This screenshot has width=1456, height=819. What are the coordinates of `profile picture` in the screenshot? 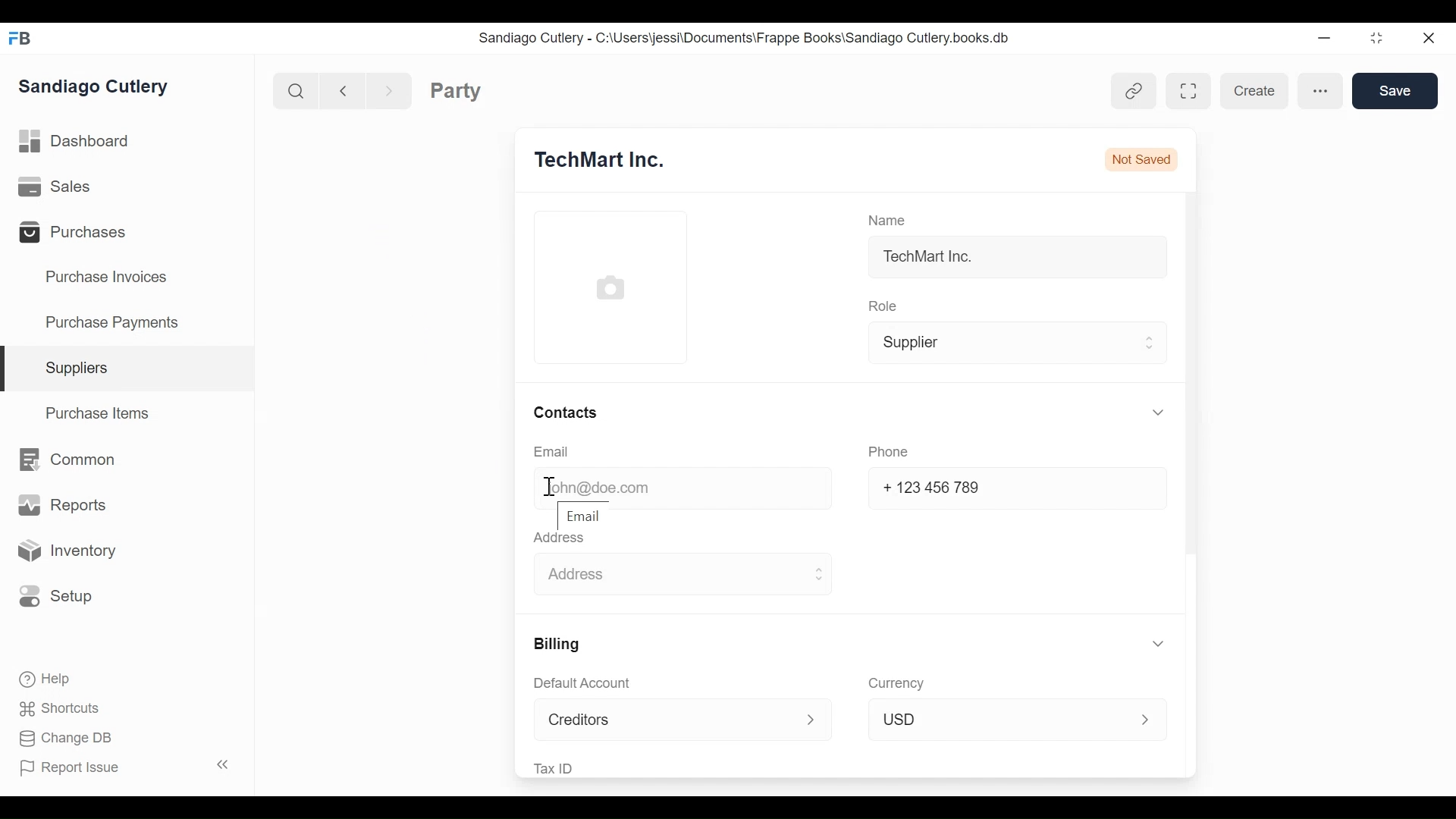 It's located at (610, 289).